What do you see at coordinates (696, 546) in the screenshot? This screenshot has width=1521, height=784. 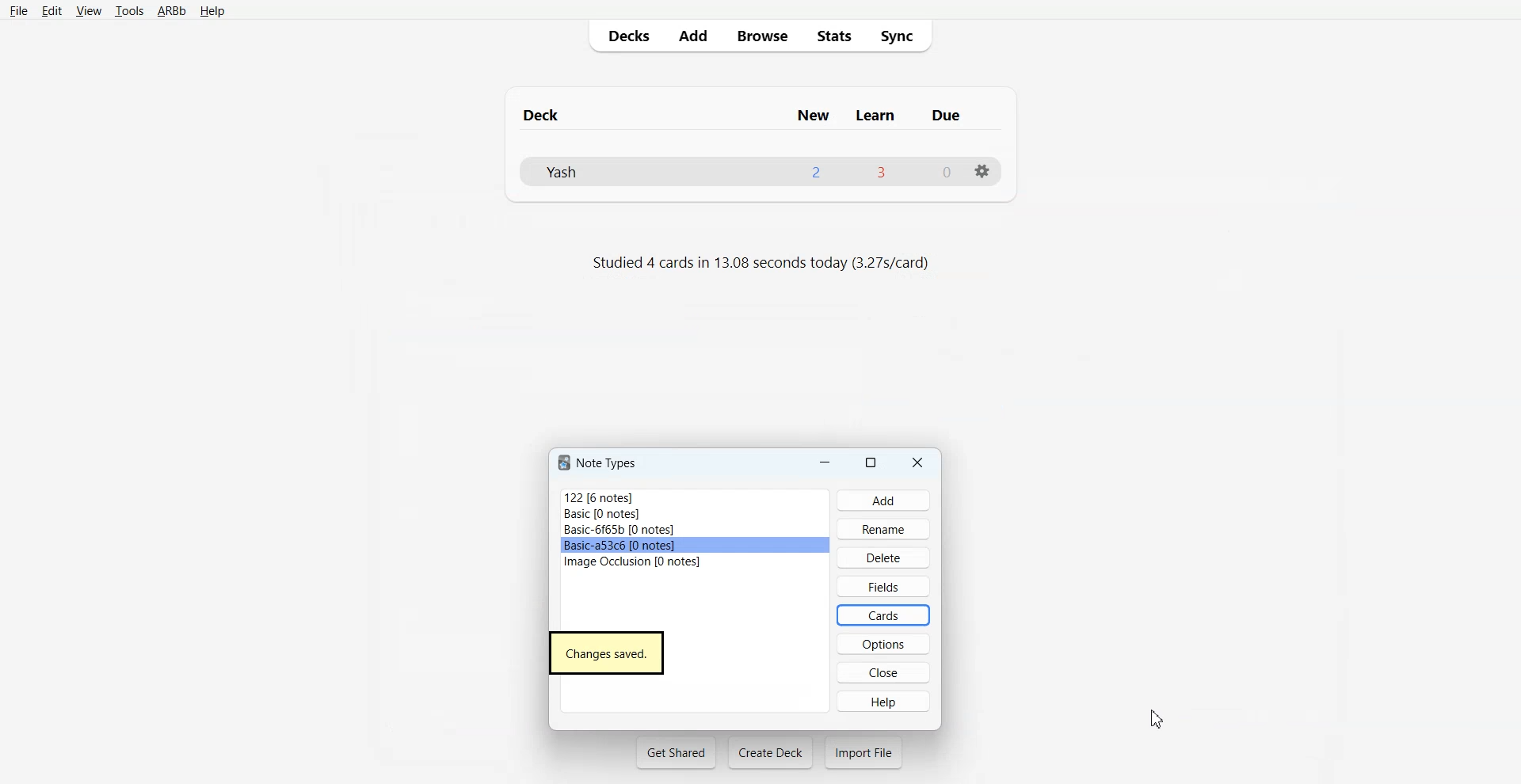 I see `Basic-a53r6` at bounding box center [696, 546].